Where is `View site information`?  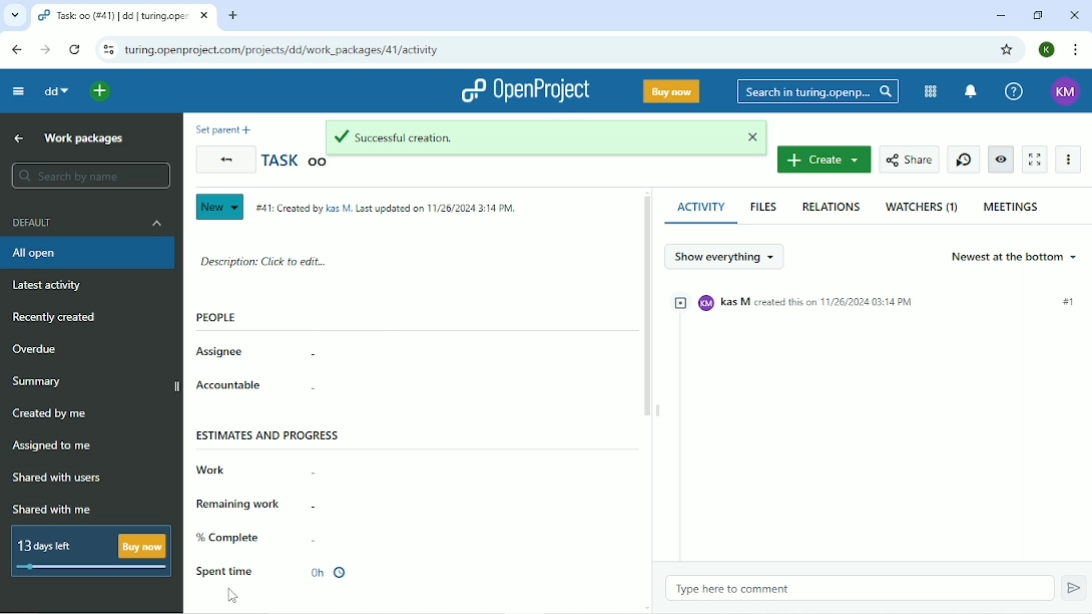 View site information is located at coordinates (106, 49).